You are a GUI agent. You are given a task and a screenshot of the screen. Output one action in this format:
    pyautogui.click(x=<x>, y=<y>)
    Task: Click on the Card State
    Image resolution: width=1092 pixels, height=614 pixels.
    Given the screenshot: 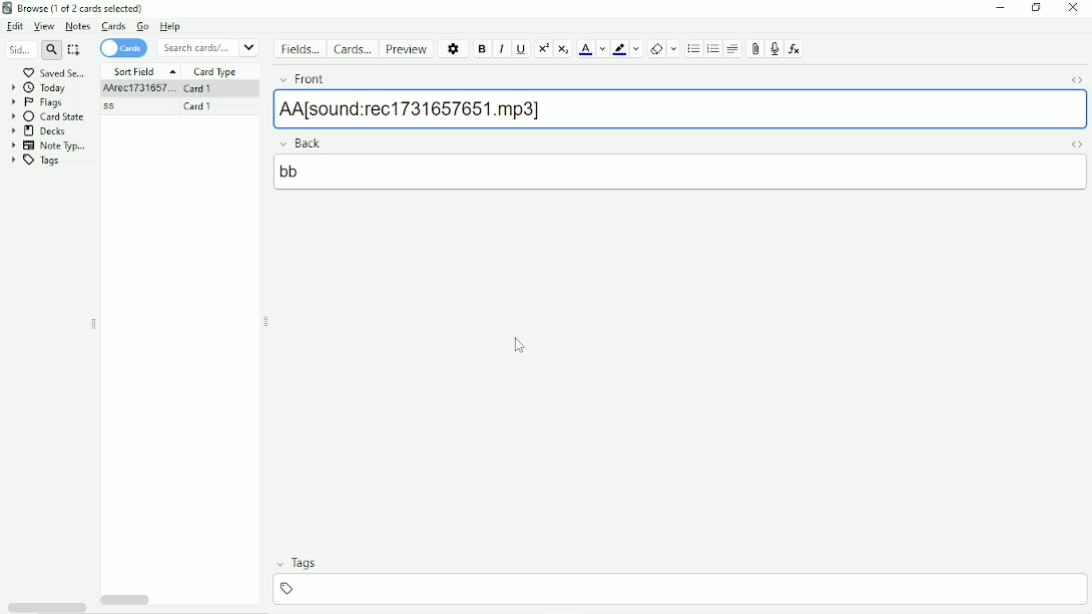 What is the action you would take?
    pyautogui.click(x=50, y=117)
    